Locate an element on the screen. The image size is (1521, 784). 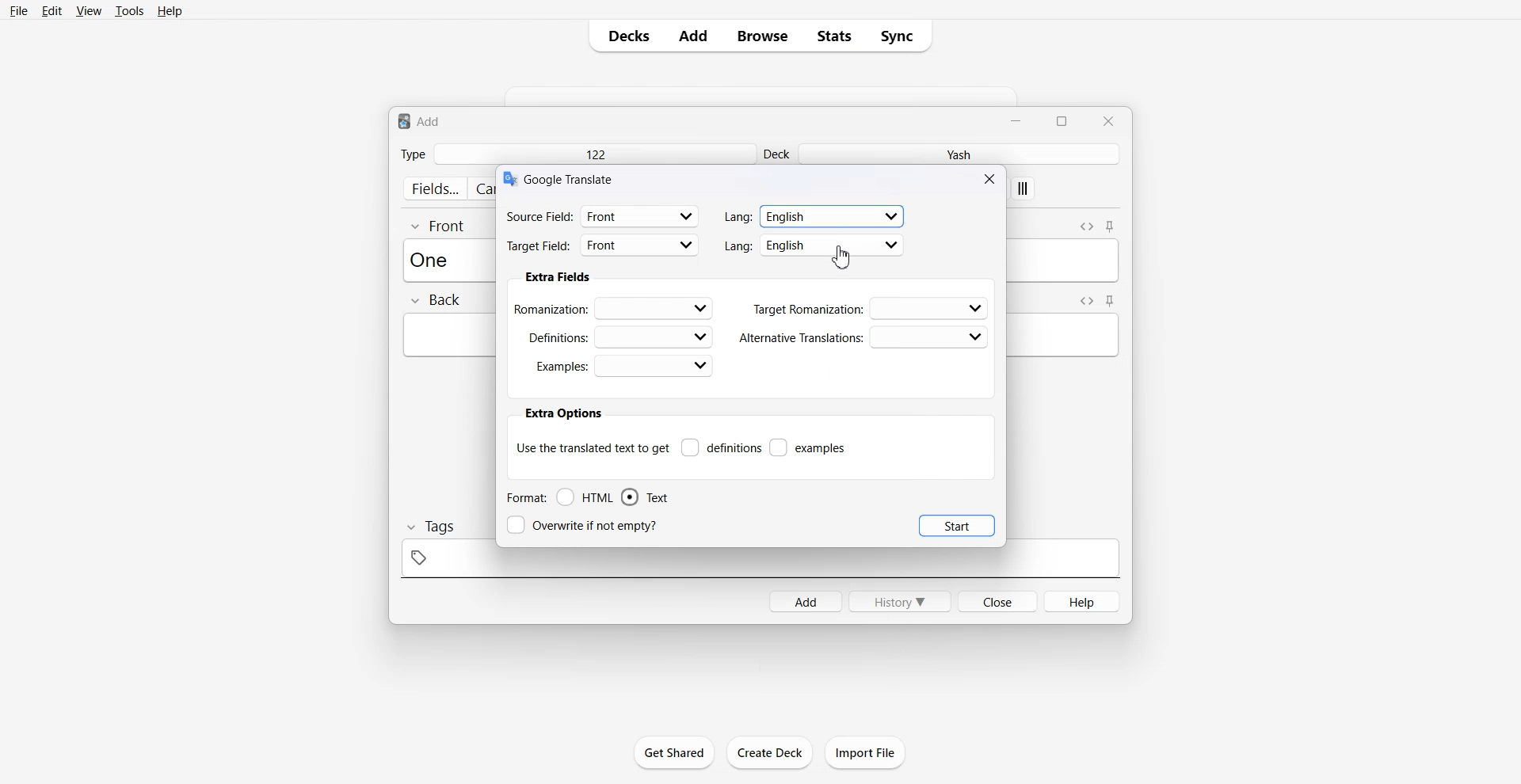
Close is located at coordinates (997, 600).